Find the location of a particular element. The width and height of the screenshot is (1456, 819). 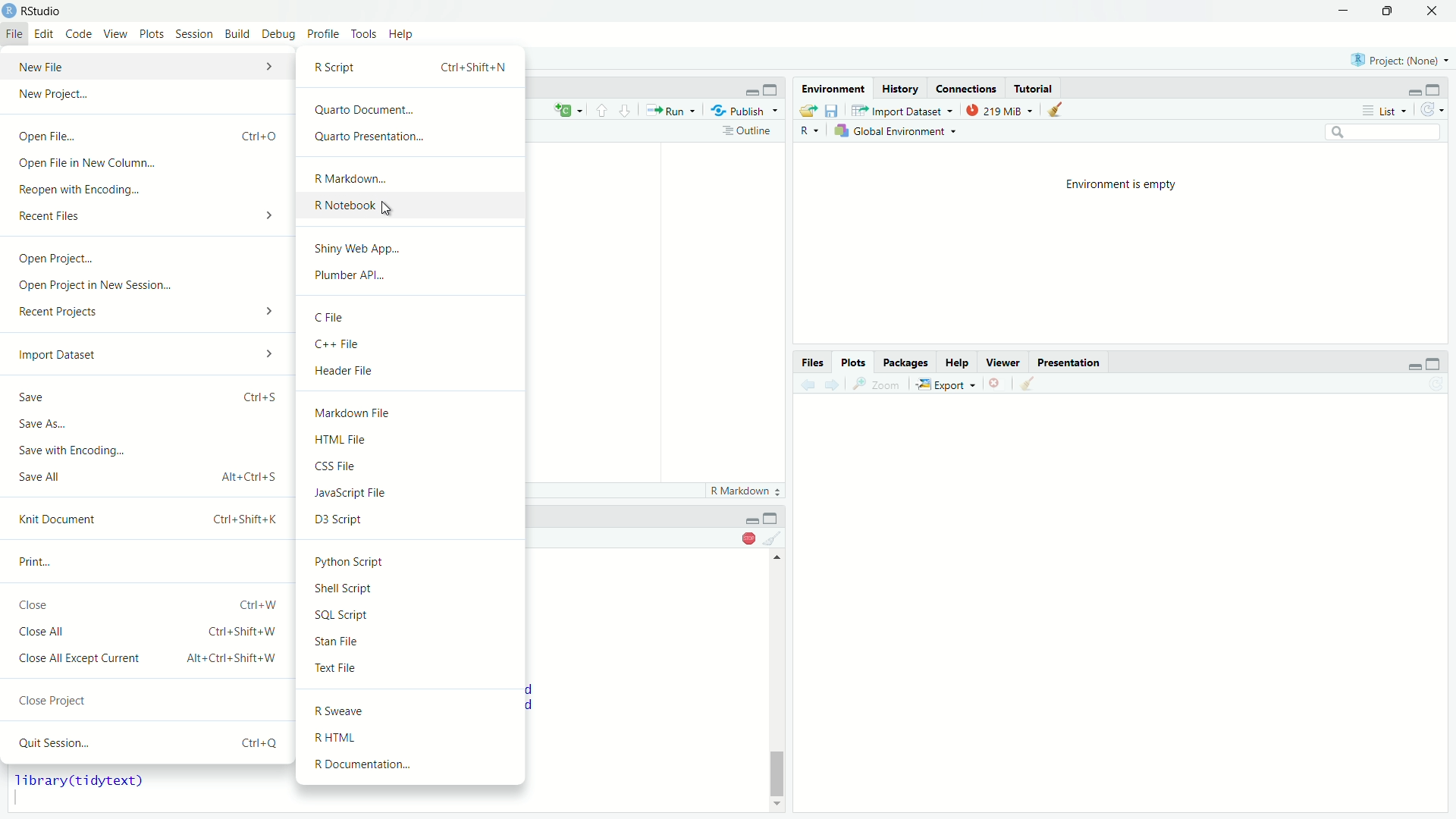

remove the current plot is located at coordinates (998, 385).